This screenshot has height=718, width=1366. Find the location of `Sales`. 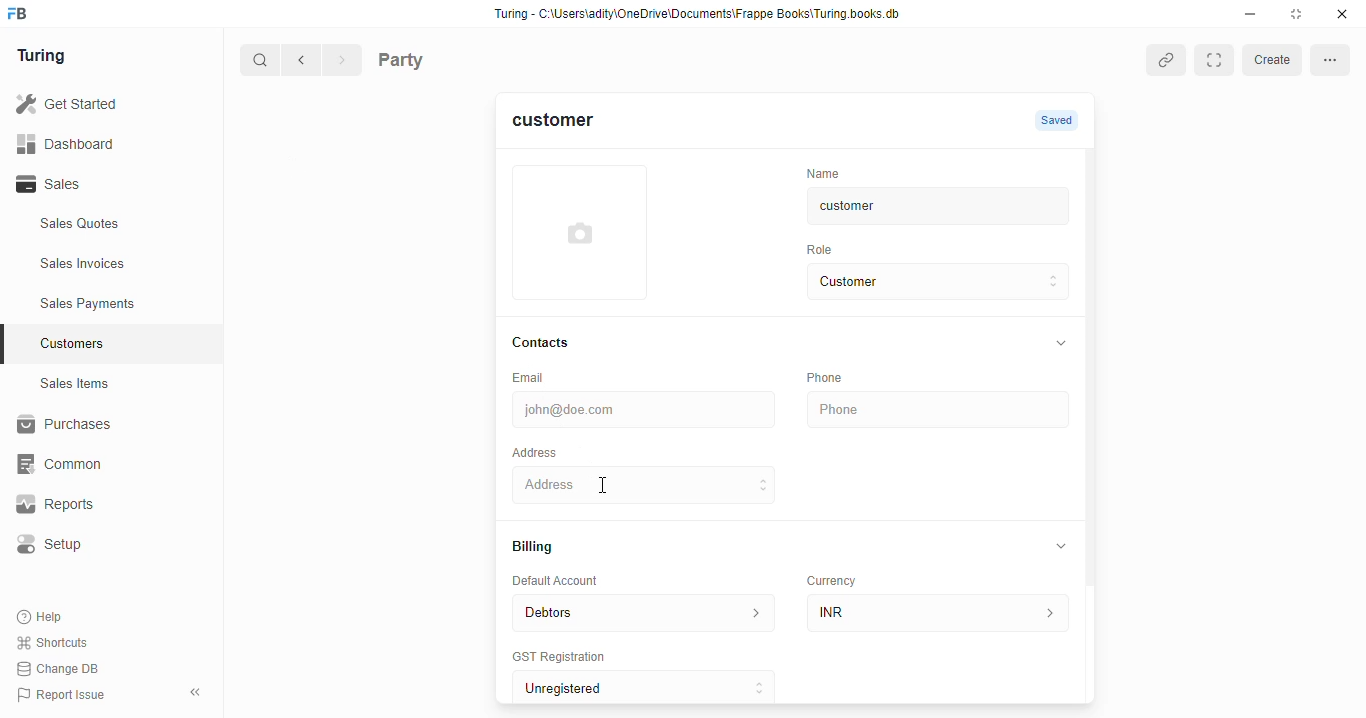

Sales is located at coordinates (98, 184).